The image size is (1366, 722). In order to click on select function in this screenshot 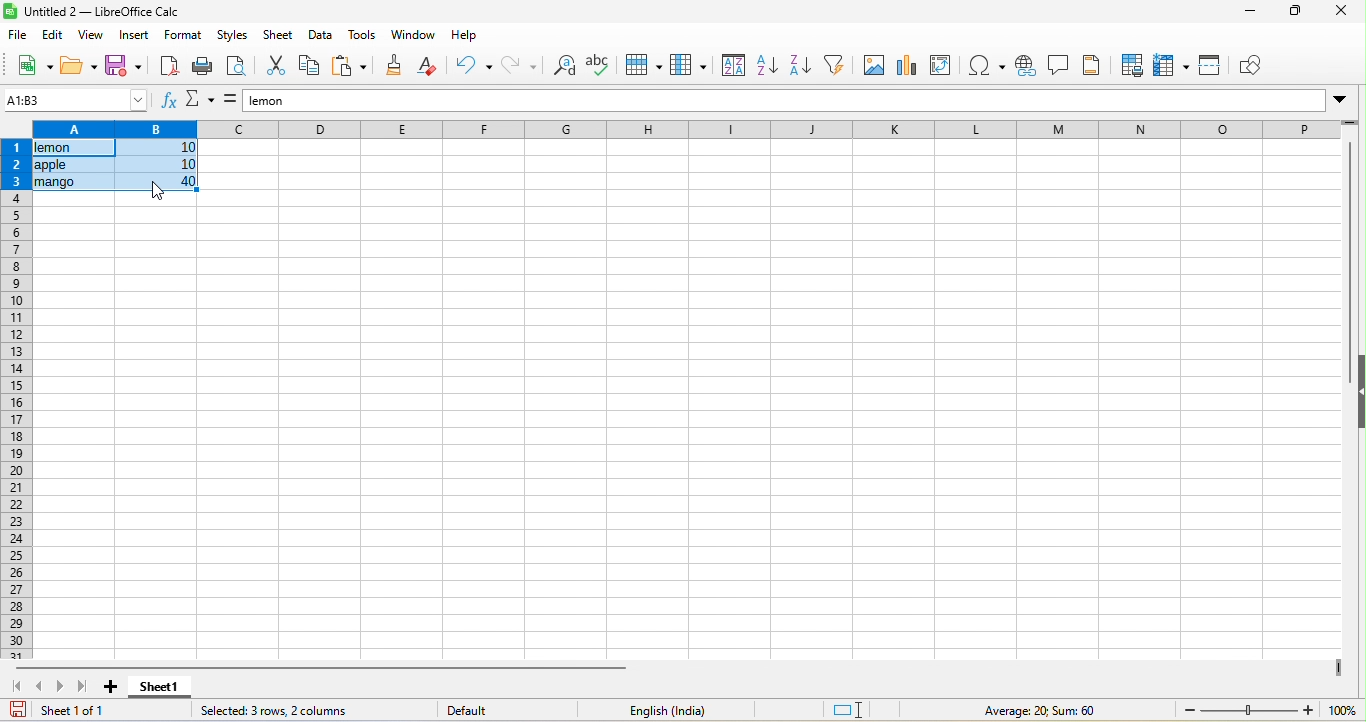, I will do `click(199, 102)`.